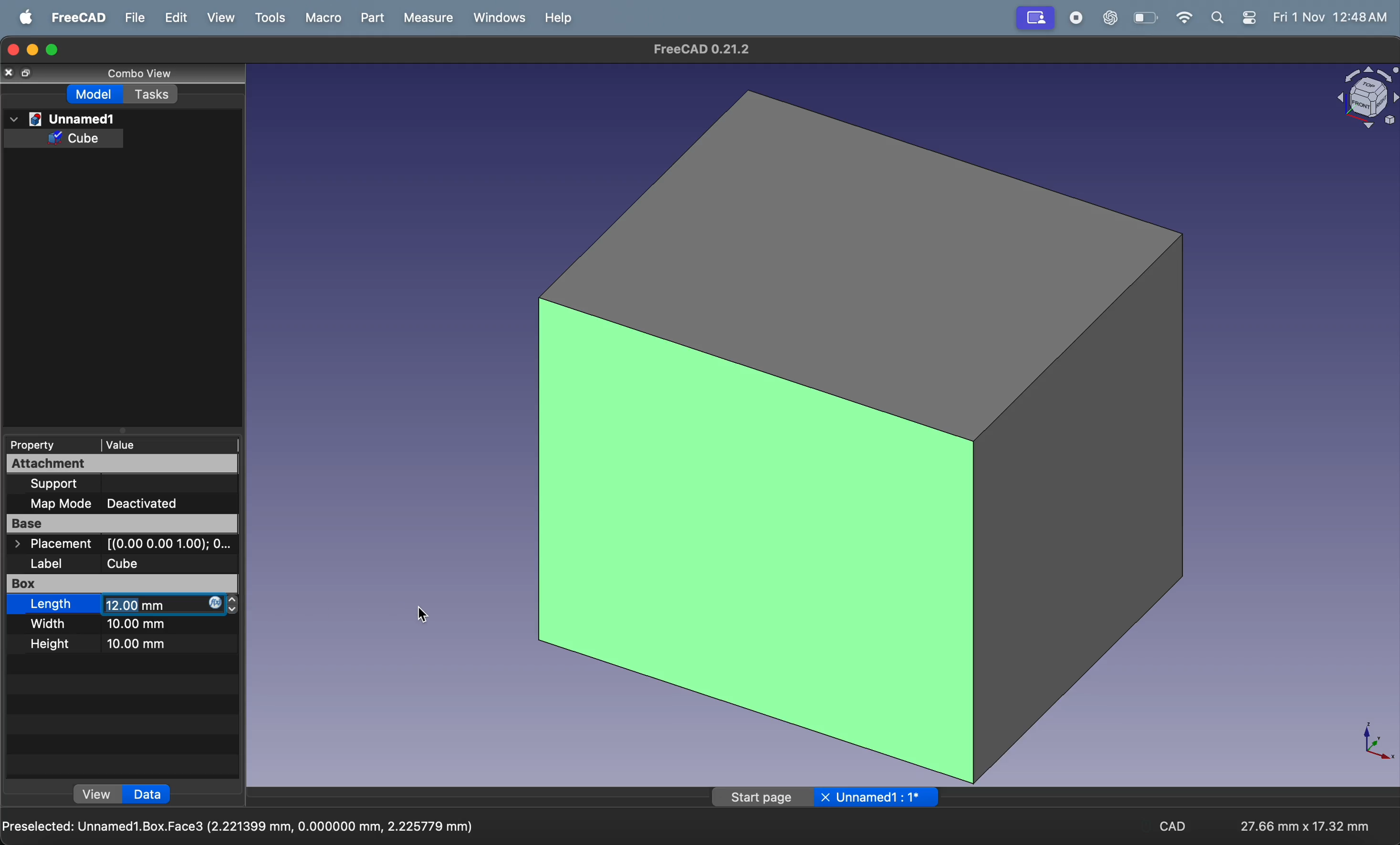 This screenshot has width=1400, height=845. I want to click on record, so click(1070, 17).